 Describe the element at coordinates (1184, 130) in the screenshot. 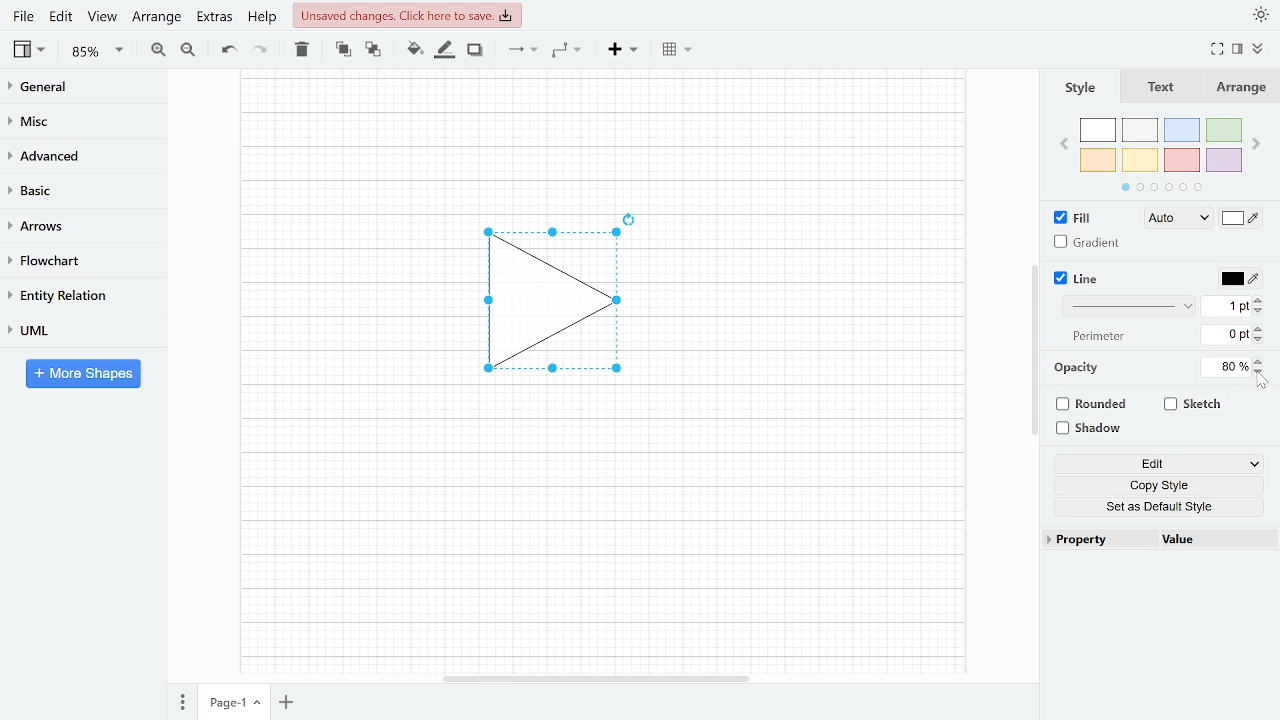

I see `blue` at that location.